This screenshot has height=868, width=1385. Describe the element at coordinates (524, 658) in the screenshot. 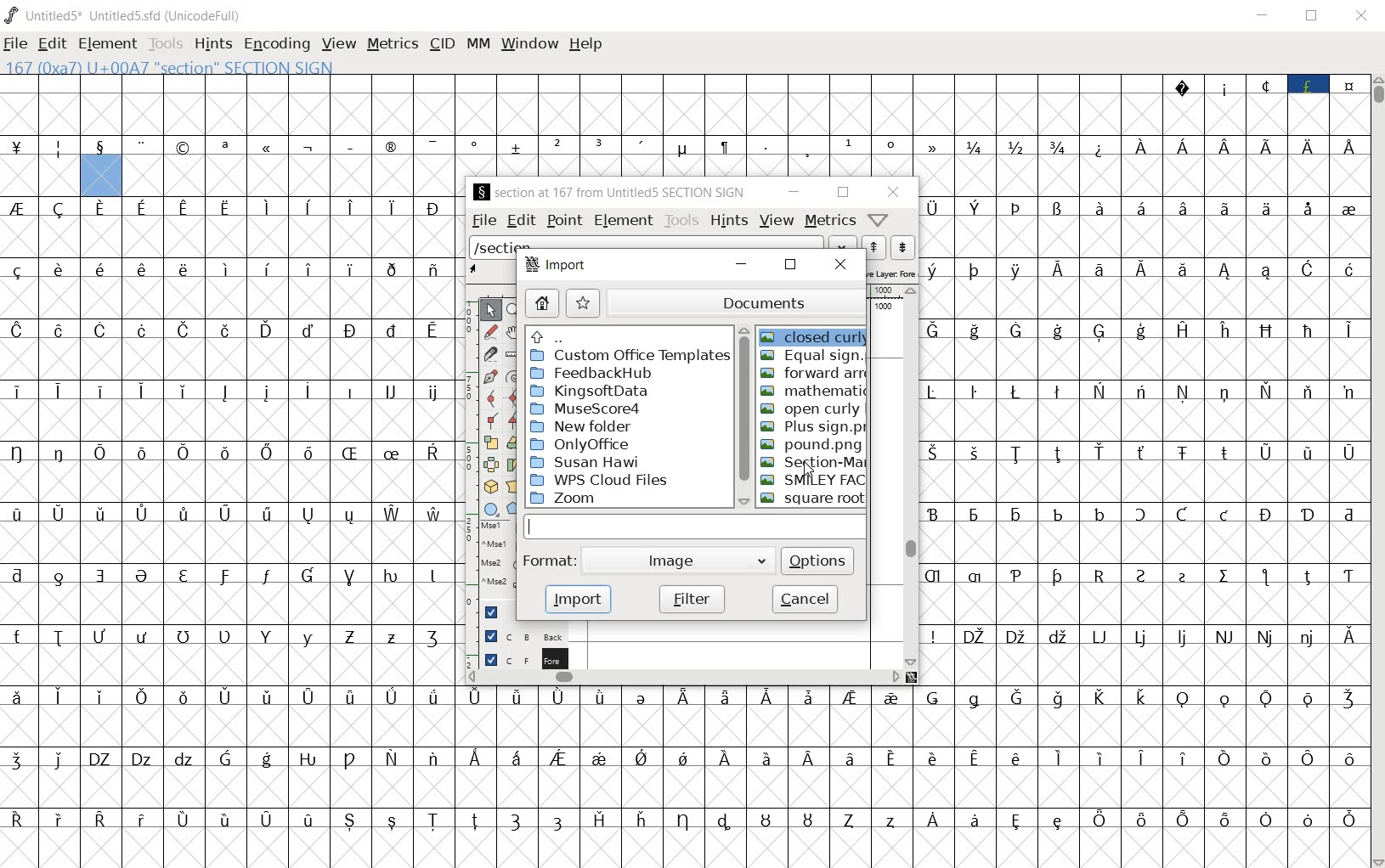

I see `foreground layer` at that location.